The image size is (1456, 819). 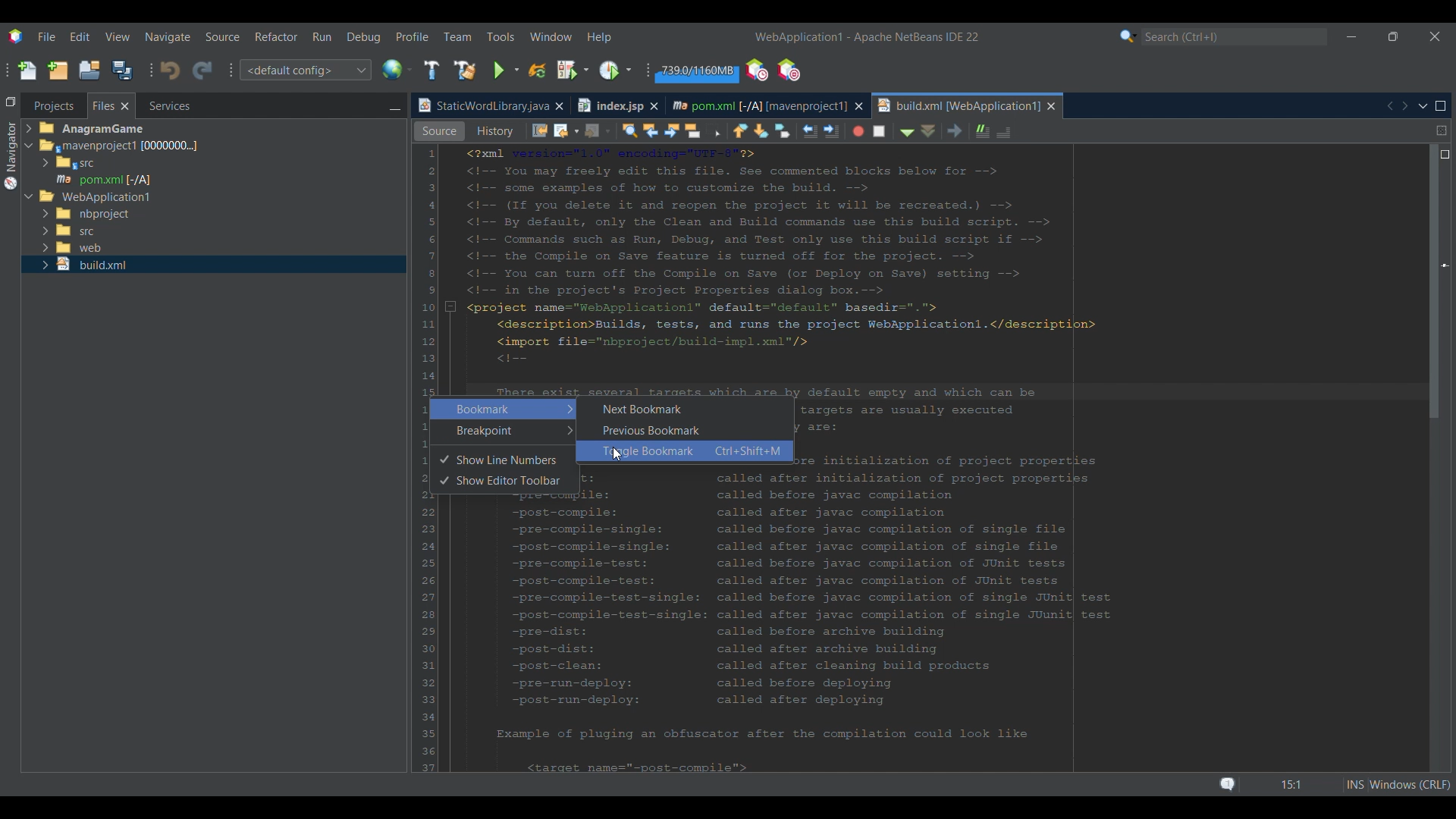 What do you see at coordinates (457, 36) in the screenshot?
I see `Team menu` at bounding box center [457, 36].